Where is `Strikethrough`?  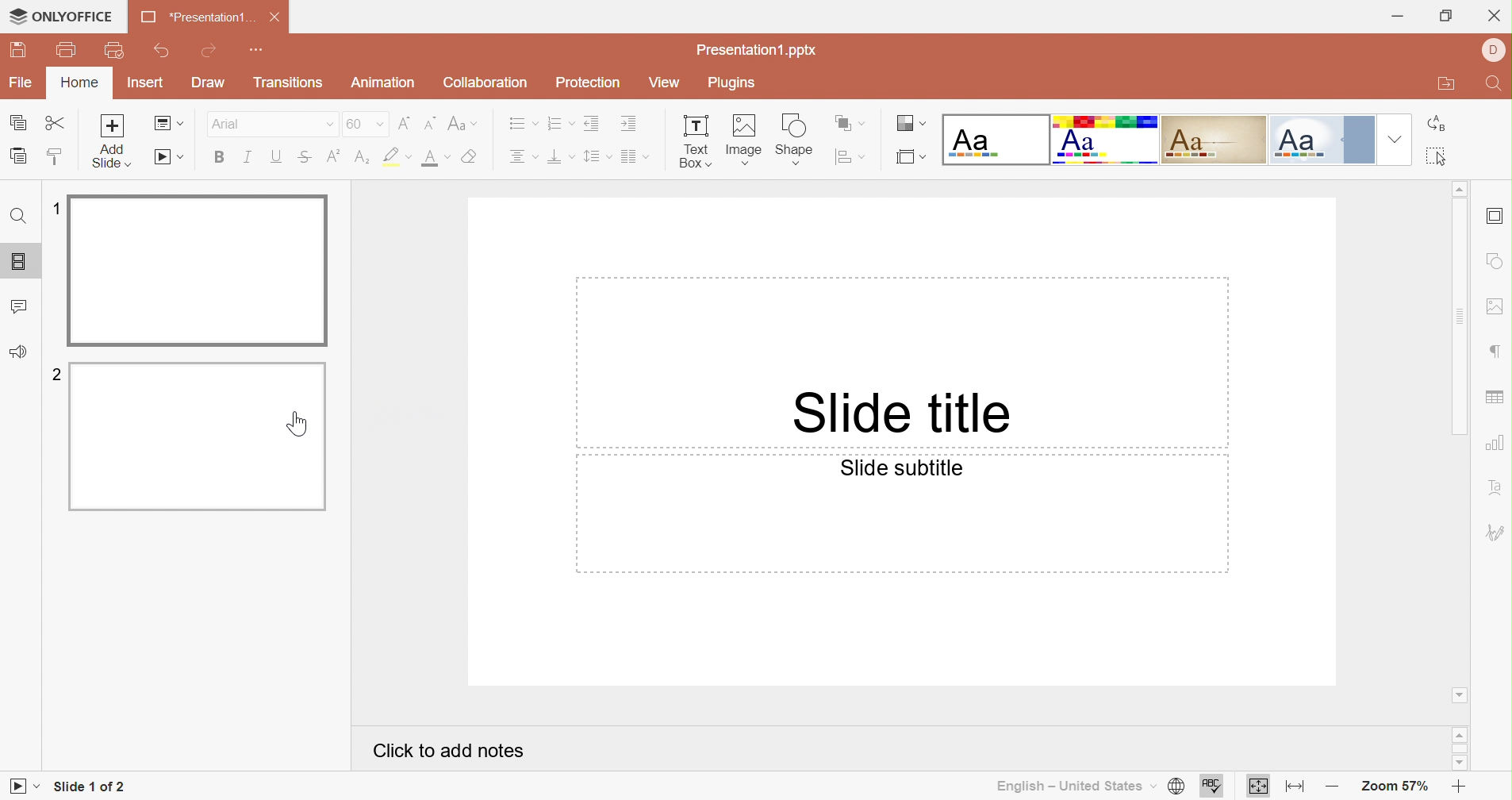
Strikethrough is located at coordinates (305, 158).